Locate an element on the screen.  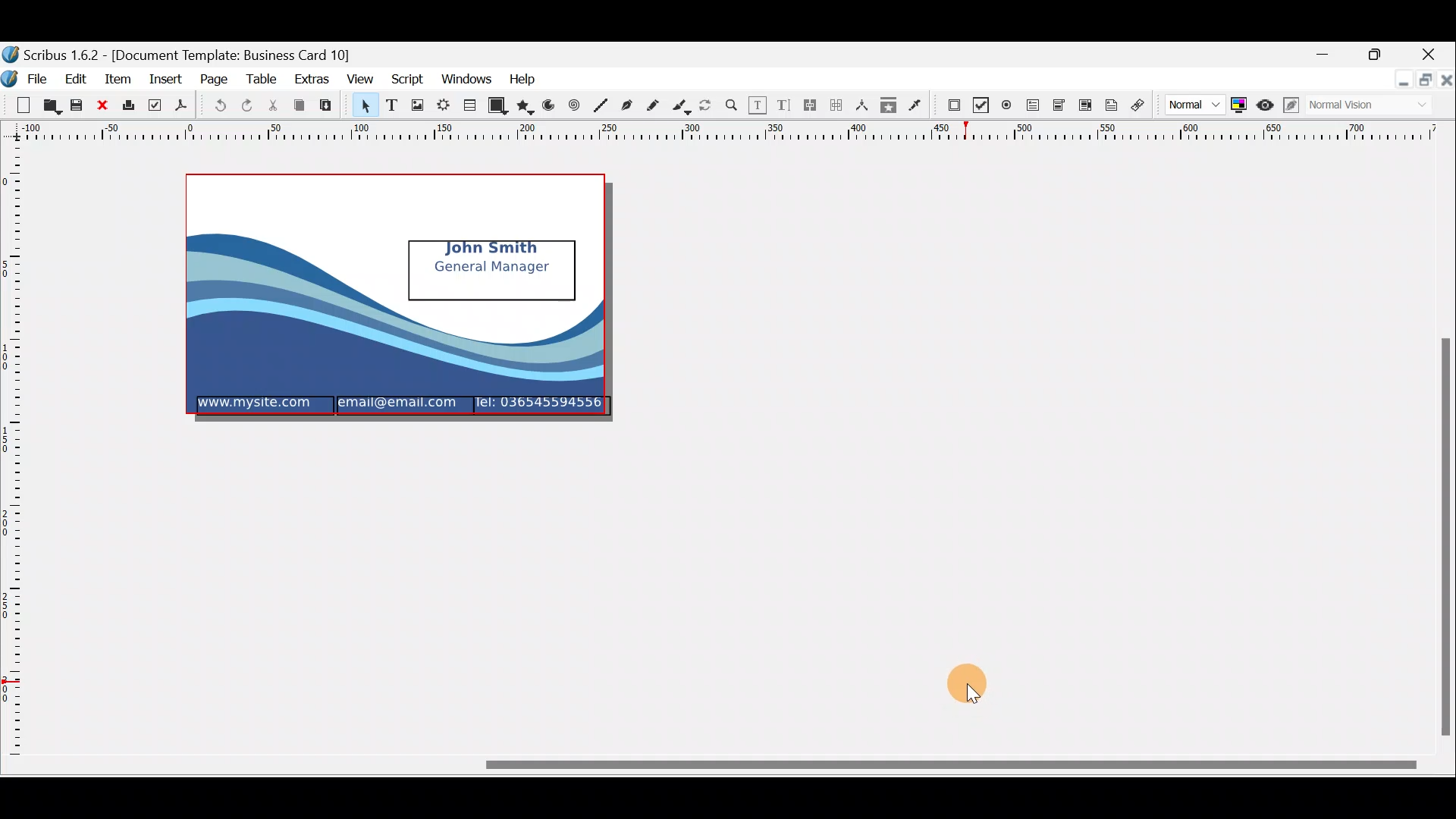
Preview mode is located at coordinates (1266, 106).